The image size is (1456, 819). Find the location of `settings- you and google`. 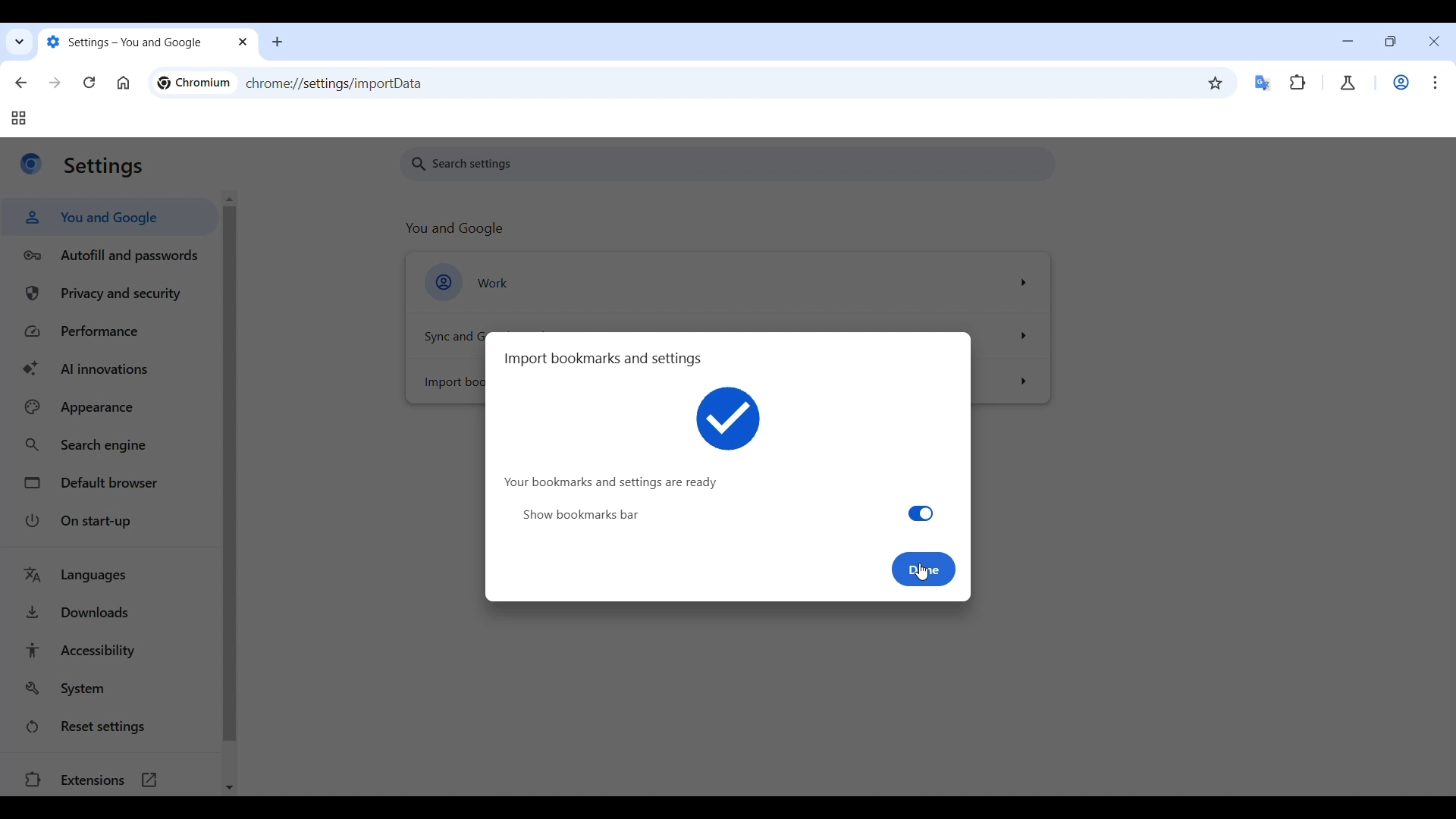

settings- you and google is located at coordinates (149, 42).